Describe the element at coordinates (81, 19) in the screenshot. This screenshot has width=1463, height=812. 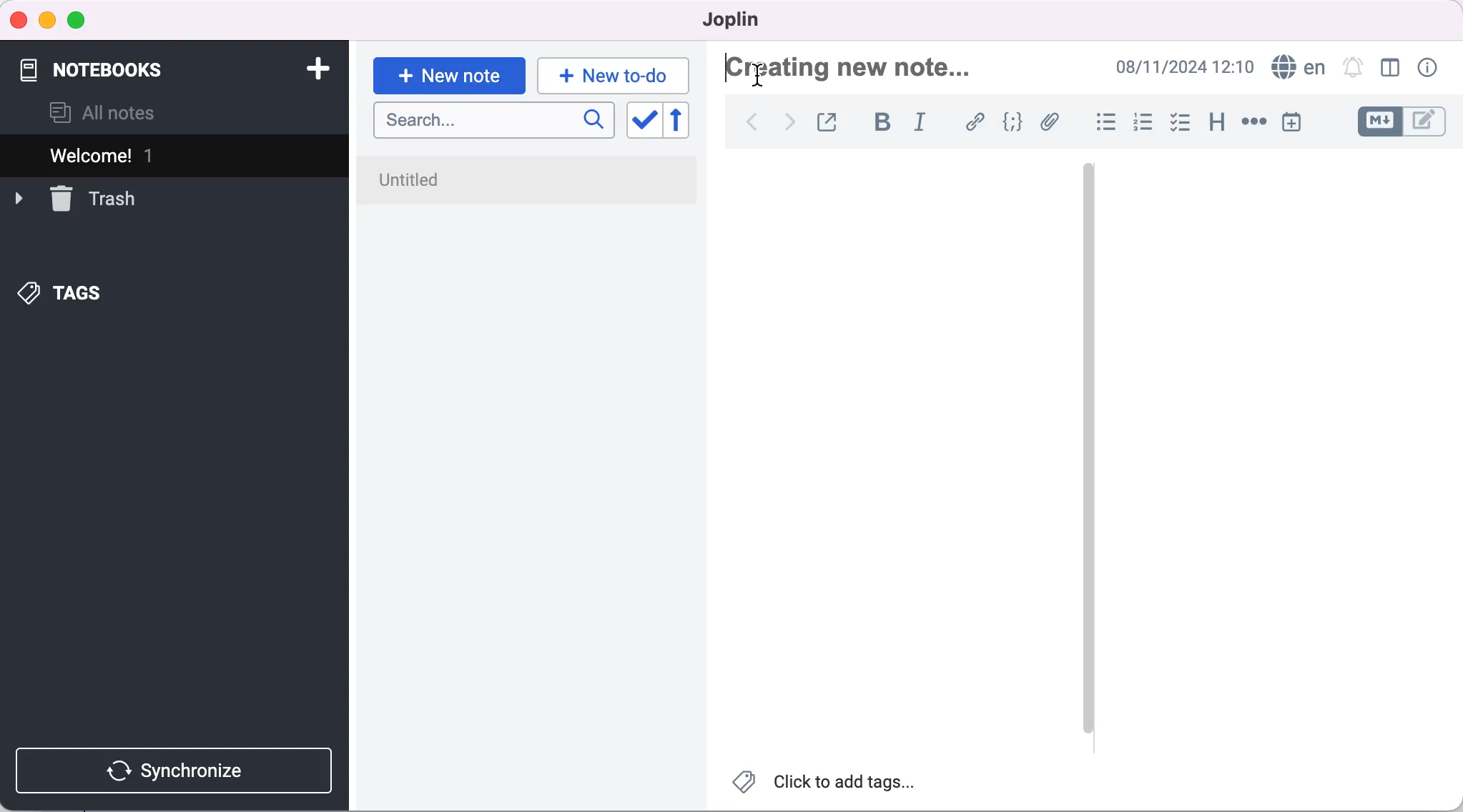
I see `maximize` at that location.